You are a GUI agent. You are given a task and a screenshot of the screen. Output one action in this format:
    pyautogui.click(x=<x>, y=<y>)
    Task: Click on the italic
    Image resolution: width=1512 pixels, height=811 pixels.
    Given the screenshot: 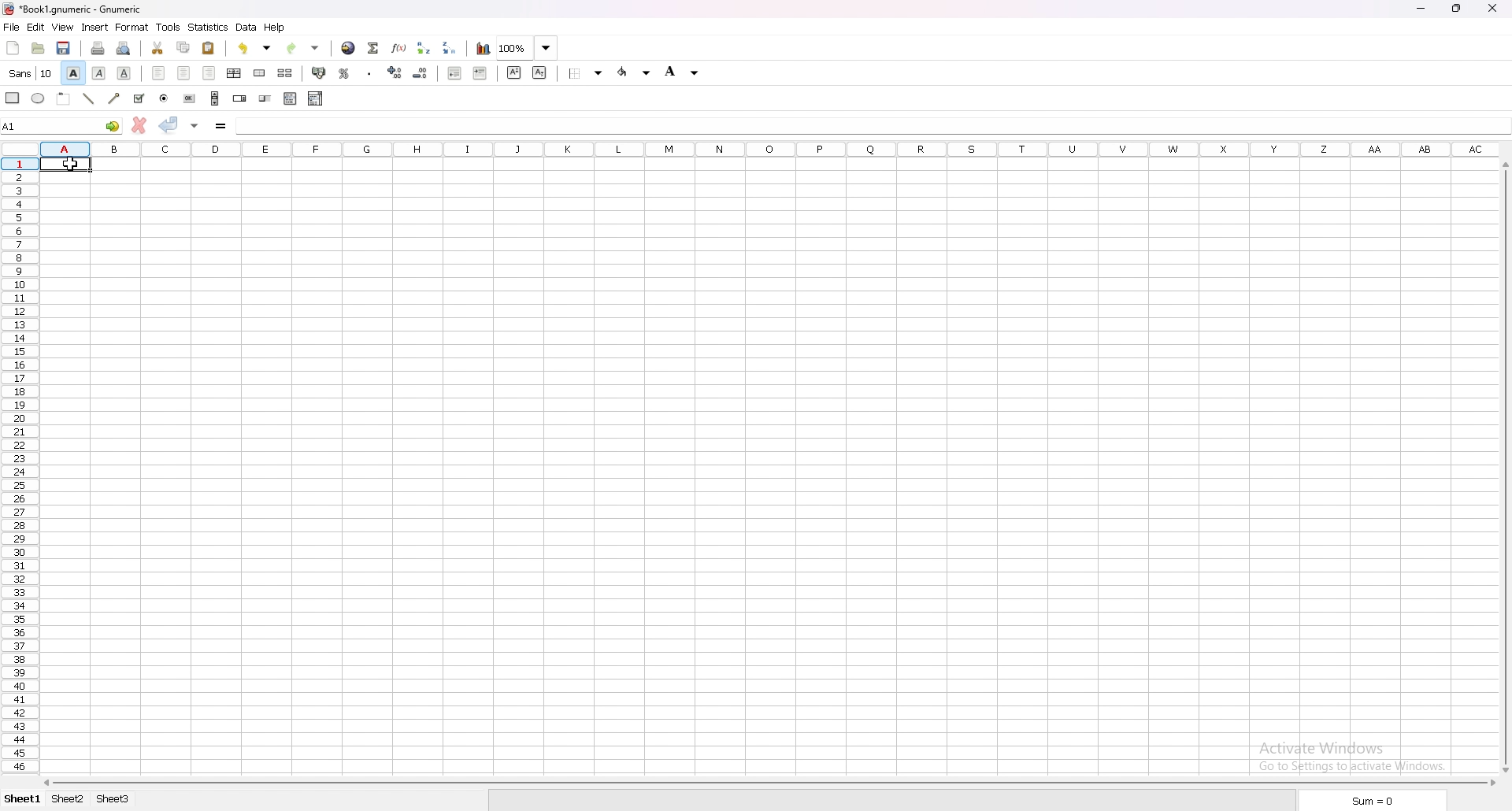 What is the action you would take?
    pyautogui.click(x=98, y=73)
    